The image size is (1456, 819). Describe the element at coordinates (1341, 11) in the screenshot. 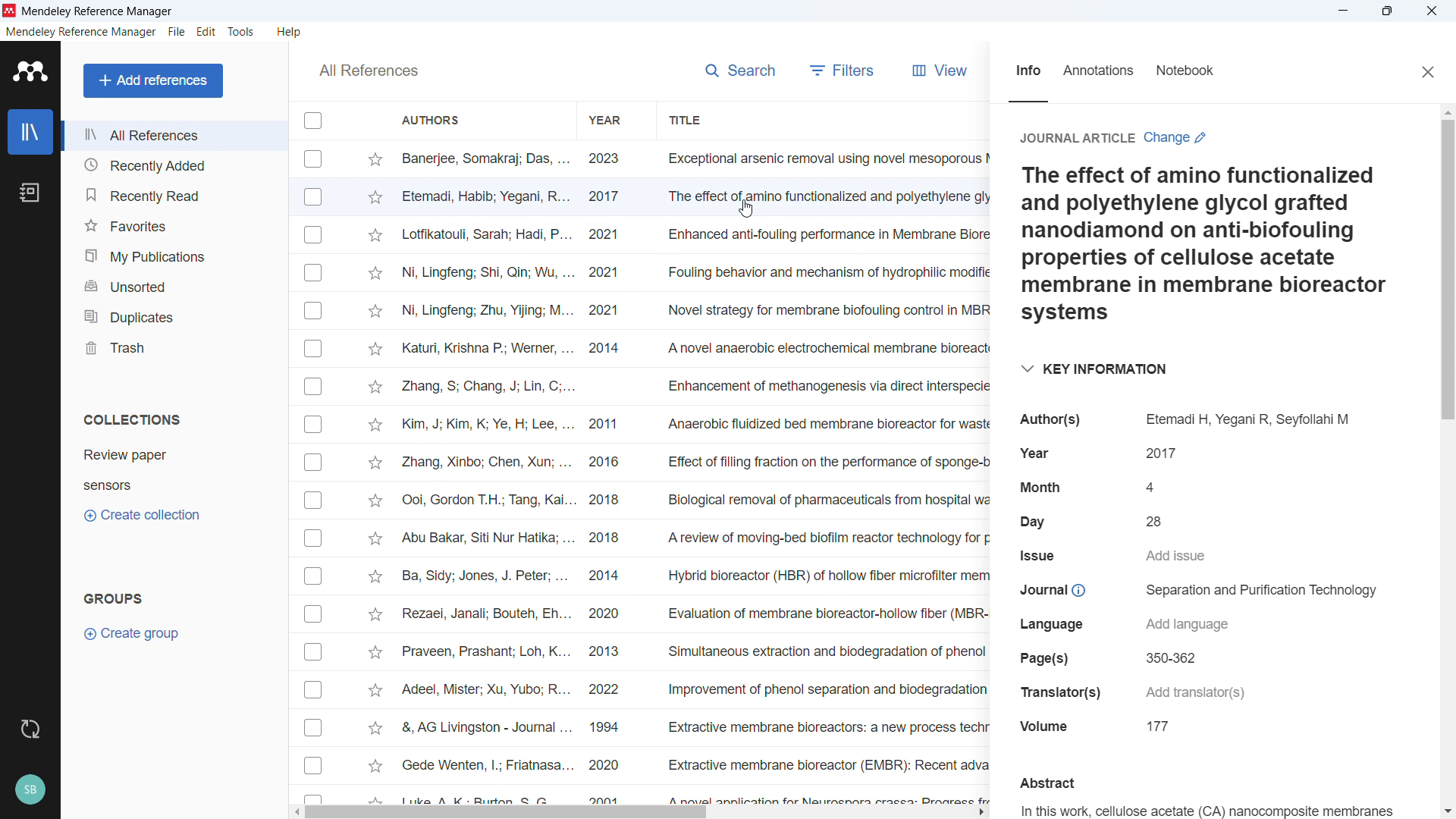

I see `minimise ` at that location.